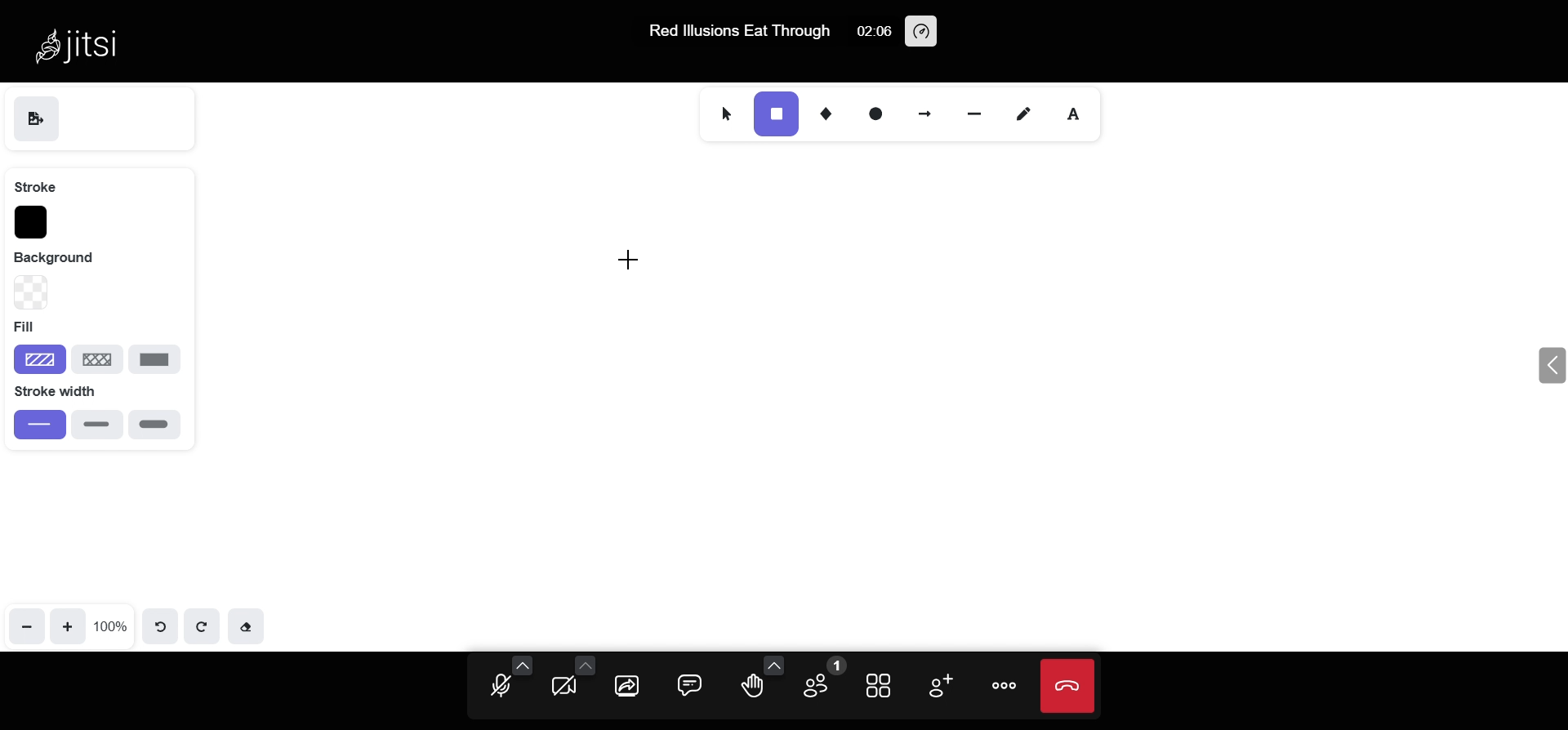 This screenshot has width=1568, height=730. Describe the element at coordinates (39, 358) in the screenshot. I see `hatchure` at that location.